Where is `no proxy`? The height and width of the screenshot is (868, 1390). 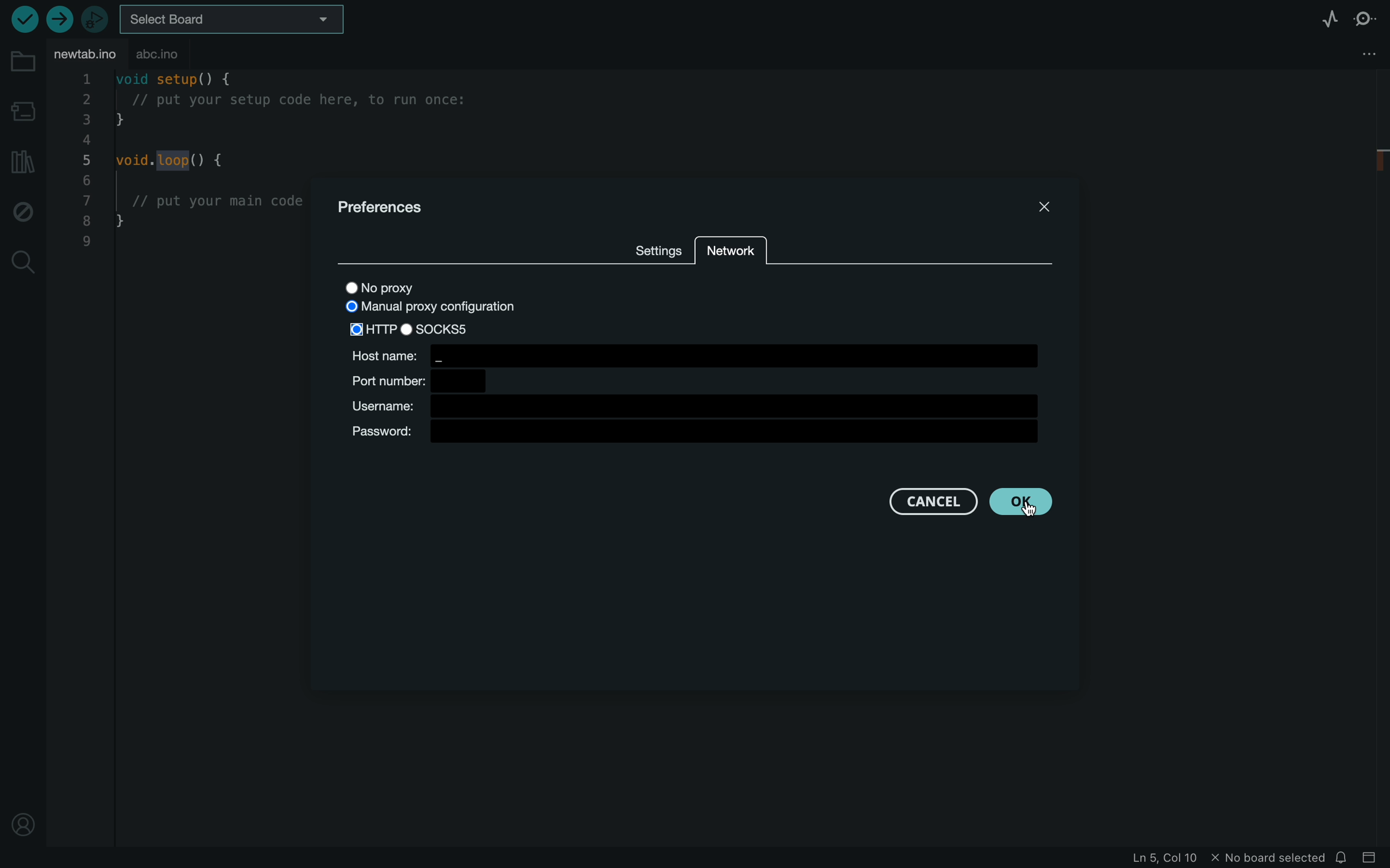 no proxy is located at coordinates (392, 286).